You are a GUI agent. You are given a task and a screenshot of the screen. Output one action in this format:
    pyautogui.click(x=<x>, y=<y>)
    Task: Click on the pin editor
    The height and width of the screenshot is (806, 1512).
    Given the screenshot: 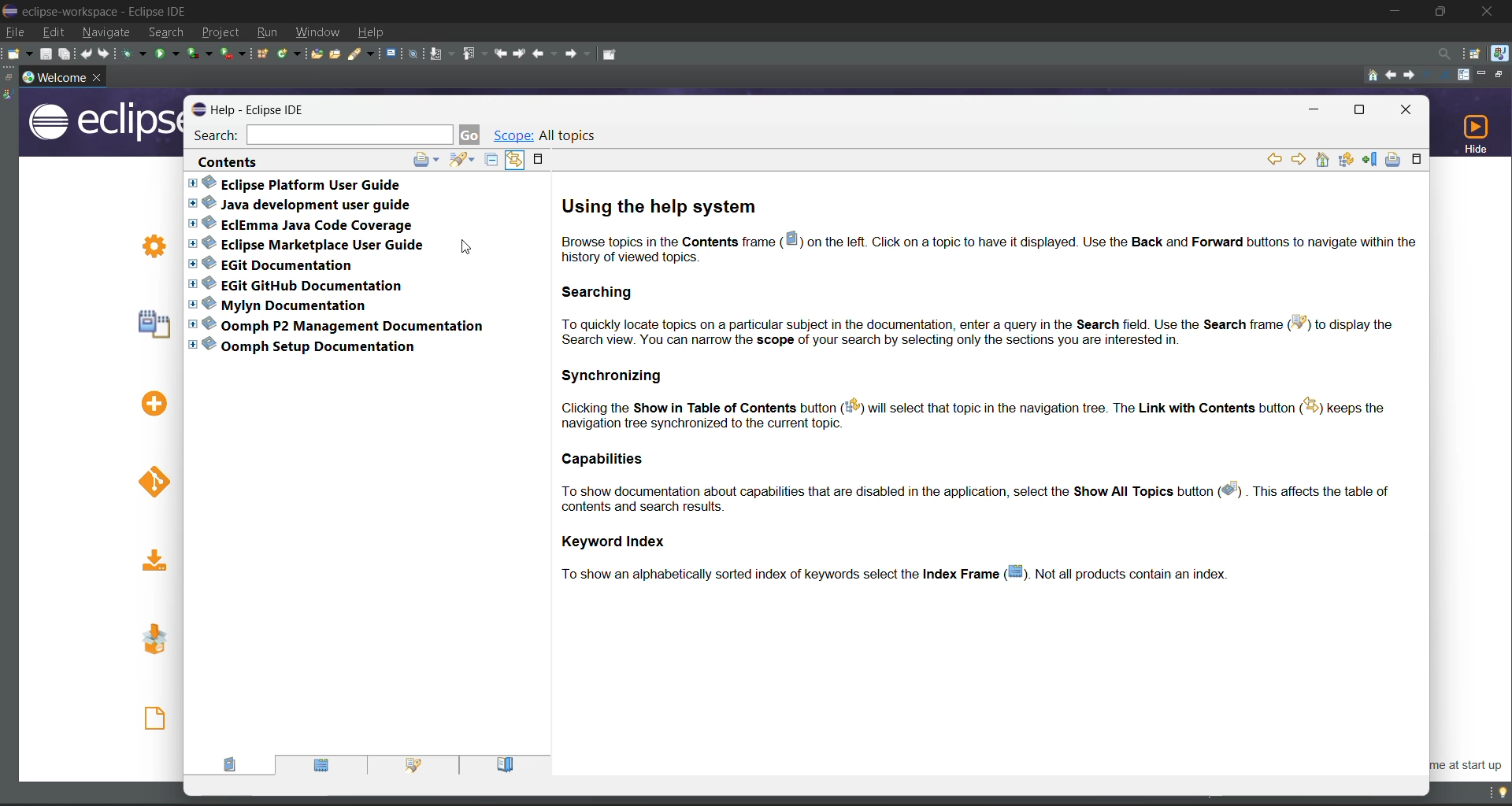 What is the action you would take?
    pyautogui.click(x=609, y=54)
    